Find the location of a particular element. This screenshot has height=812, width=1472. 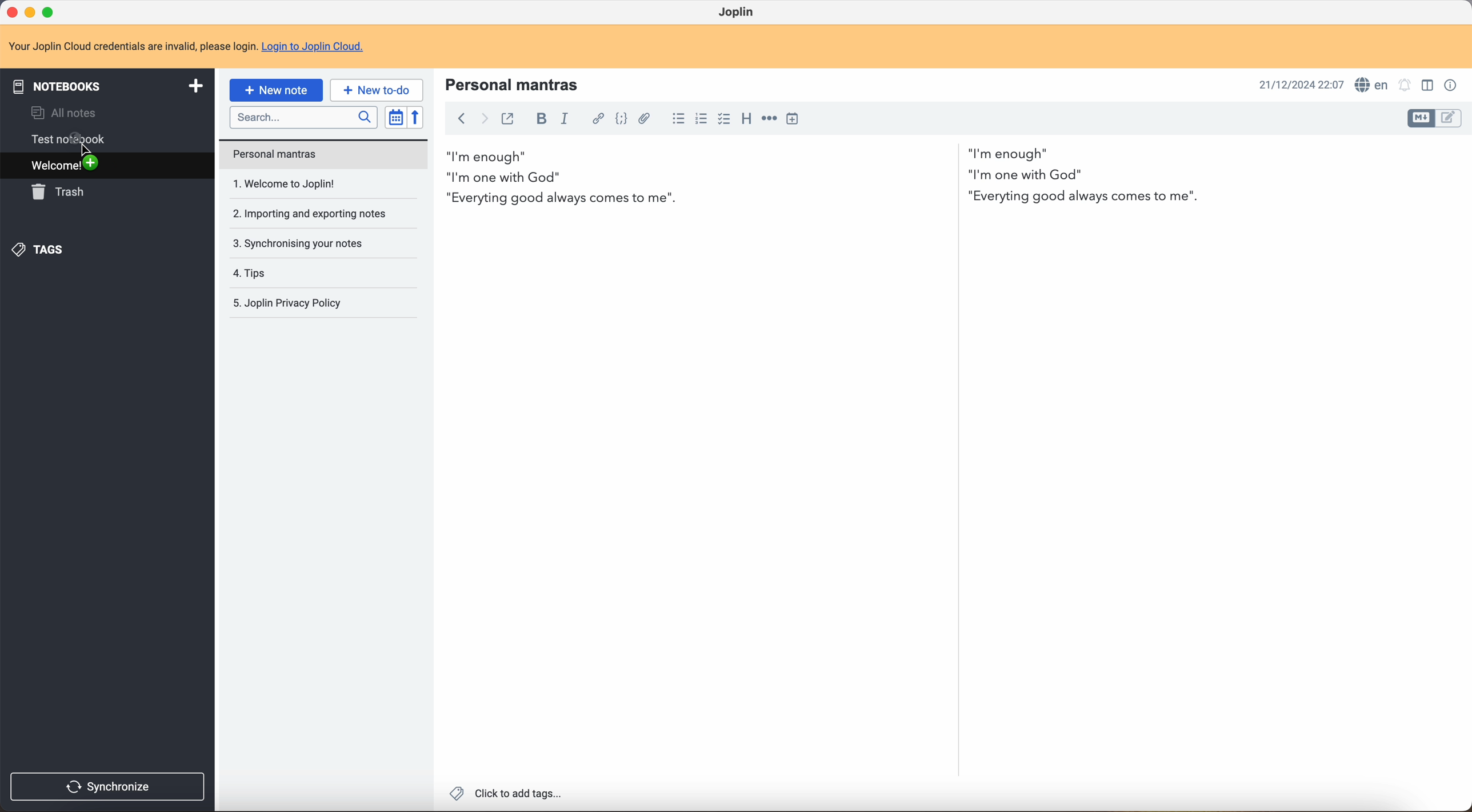

search bar is located at coordinates (303, 118).